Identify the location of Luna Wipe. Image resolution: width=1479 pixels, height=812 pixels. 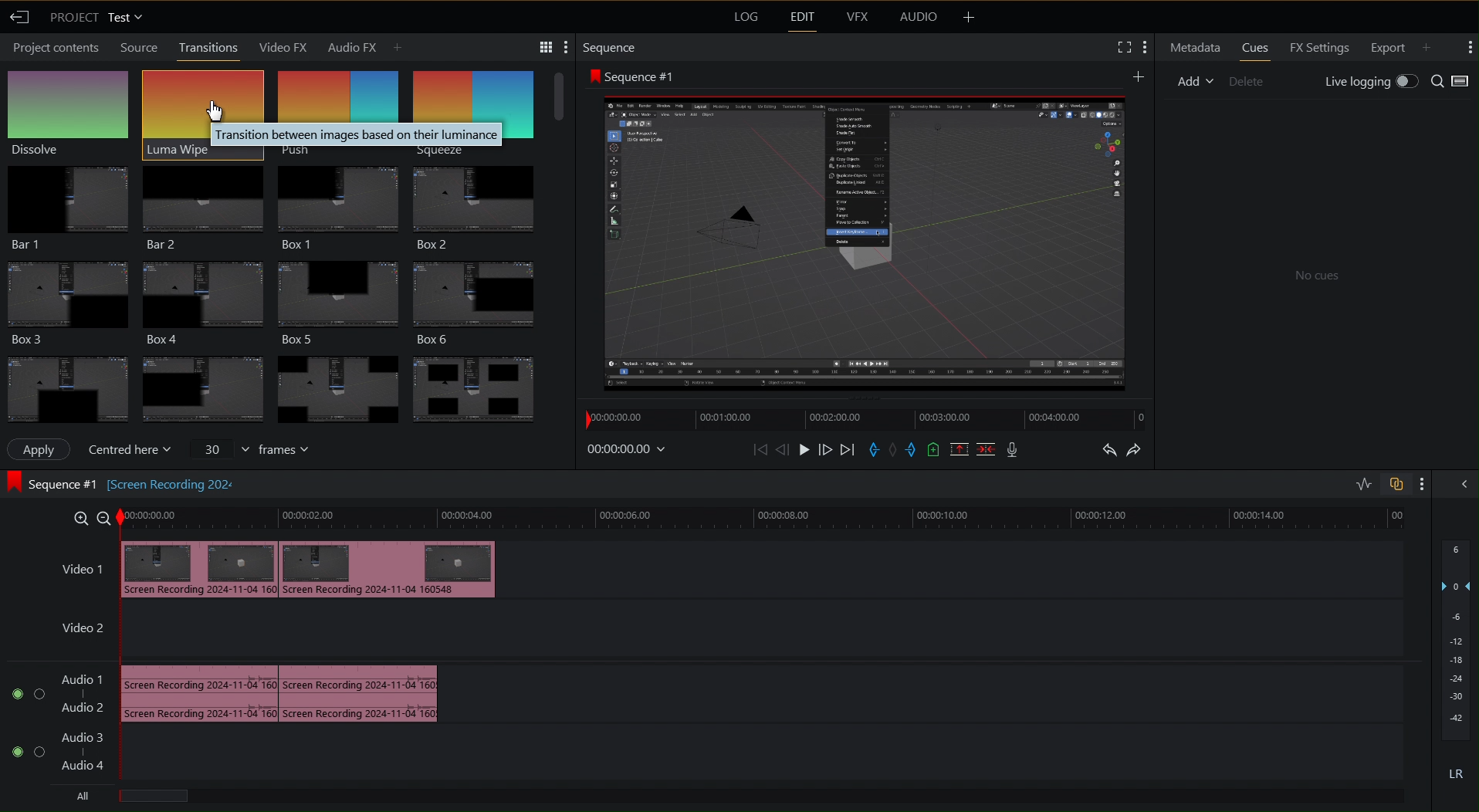
(201, 87).